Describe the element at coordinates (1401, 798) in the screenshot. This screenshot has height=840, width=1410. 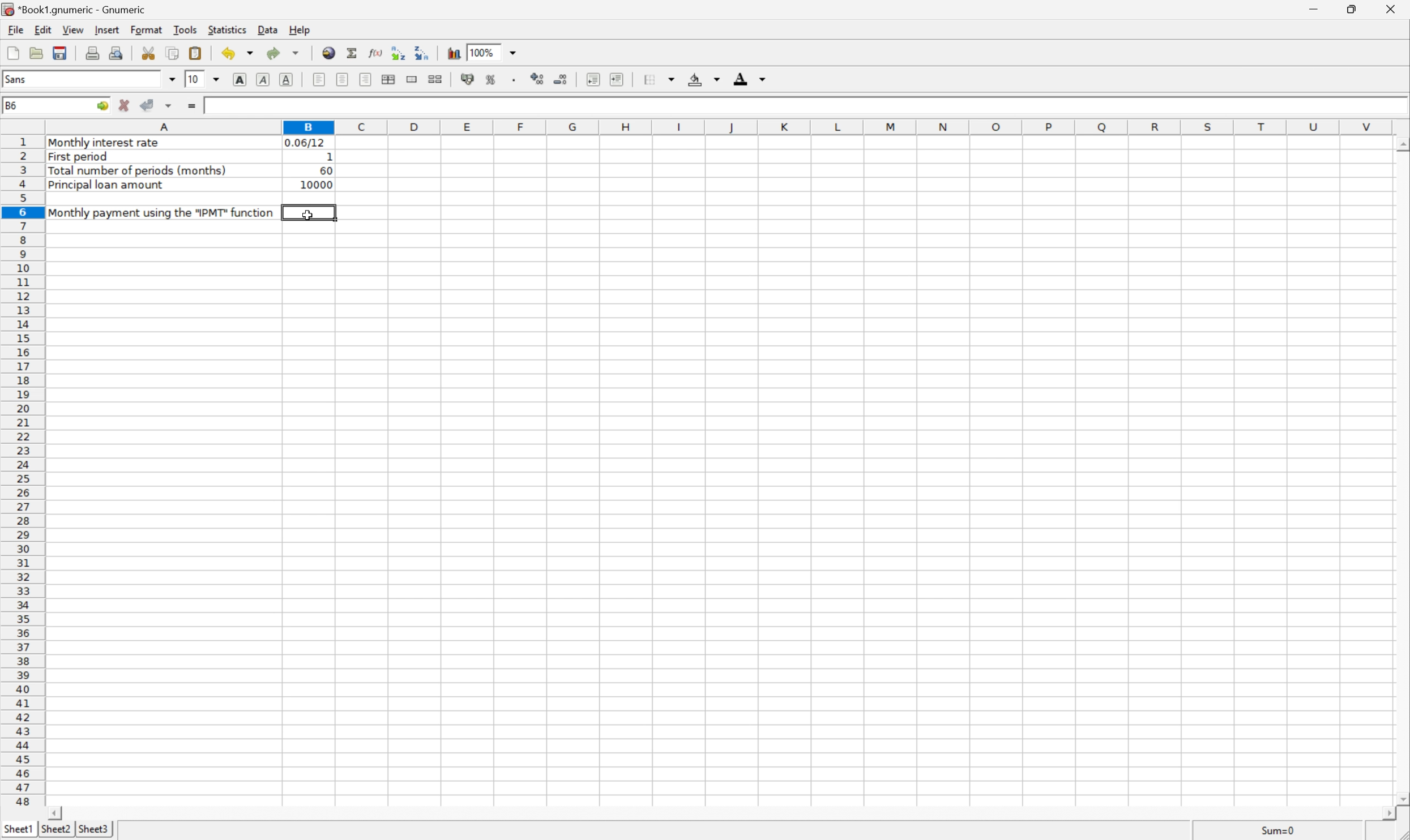
I see `Scroll Down` at that location.